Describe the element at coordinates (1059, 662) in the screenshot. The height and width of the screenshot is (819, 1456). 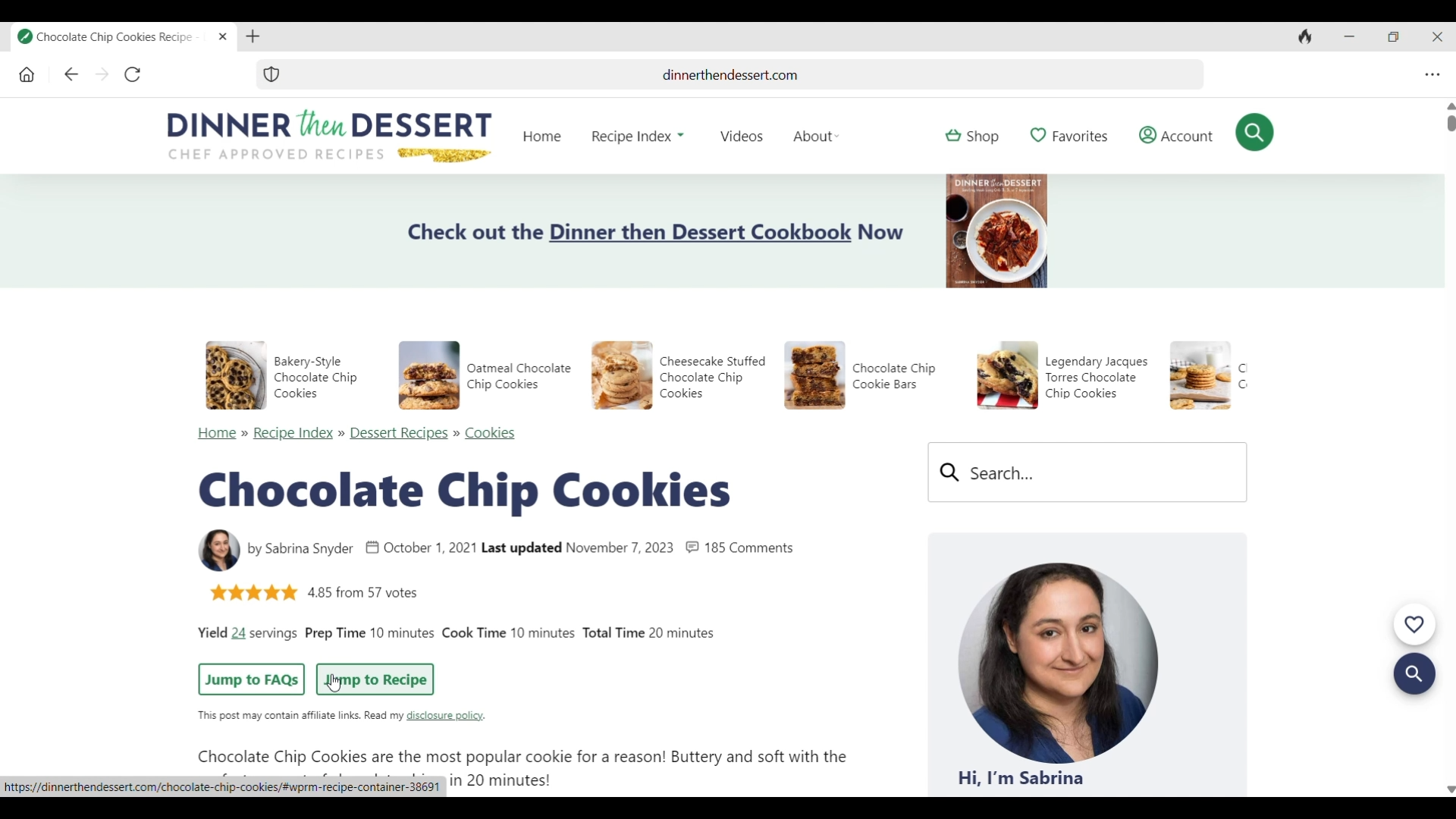
I see `Author profile picture` at that location.